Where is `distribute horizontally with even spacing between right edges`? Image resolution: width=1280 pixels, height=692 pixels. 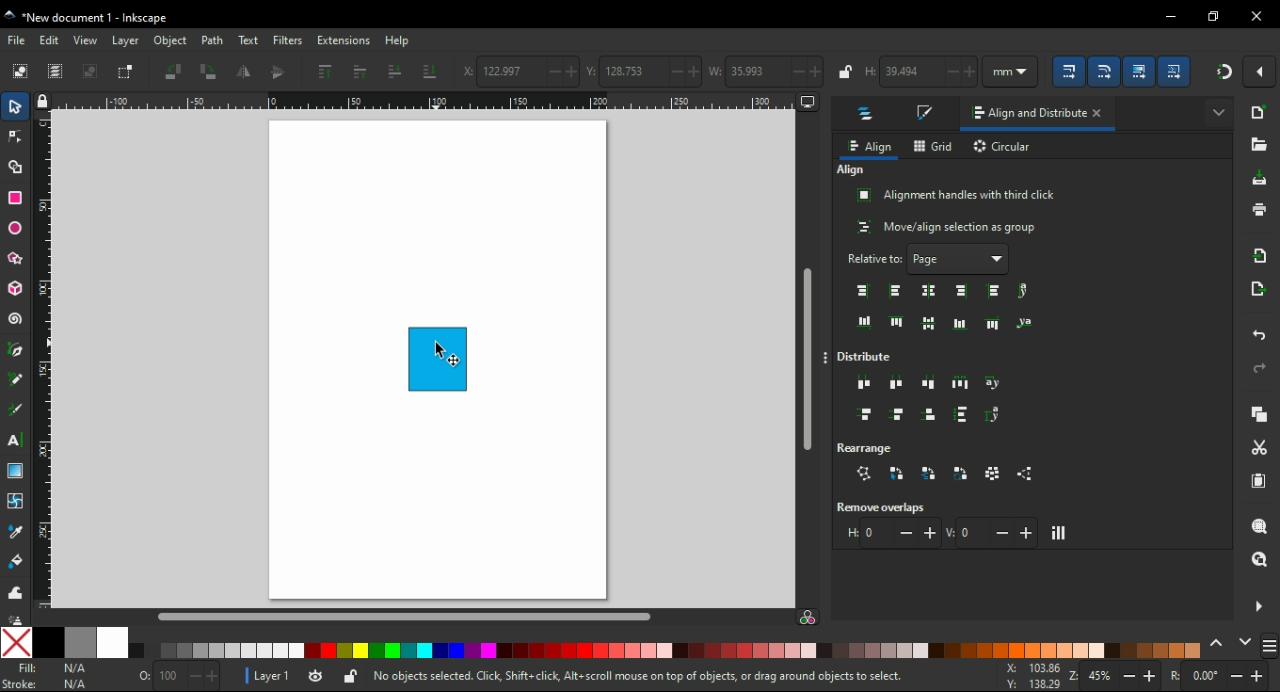
distribute horizontally with even spacing between right edges is located at coordinates (926, 385).